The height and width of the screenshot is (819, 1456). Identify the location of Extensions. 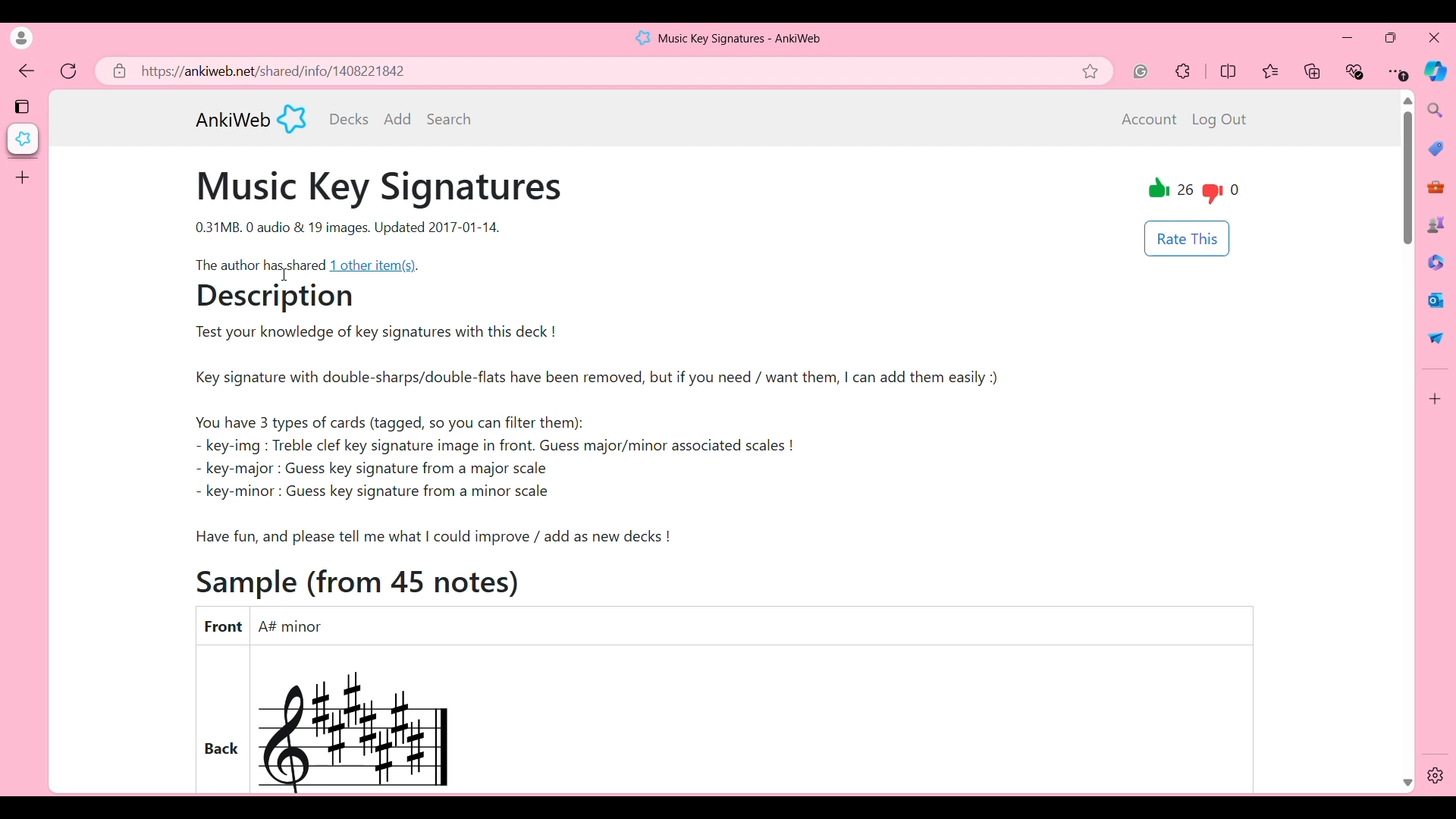
(1183, 71).